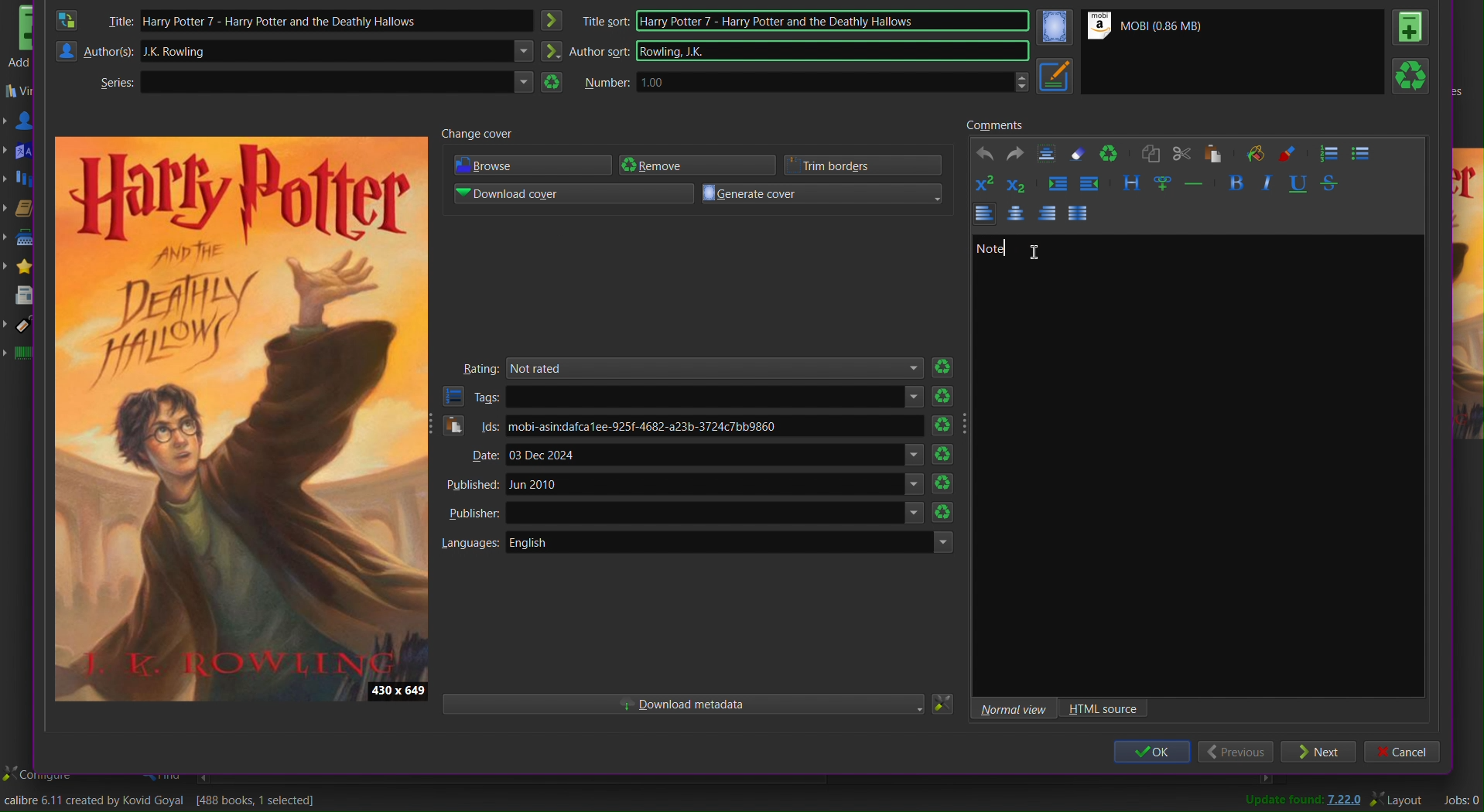  Describe the element at coordinates (70, 19) in the screenshot. I see `Swap Author and Title` at that location.